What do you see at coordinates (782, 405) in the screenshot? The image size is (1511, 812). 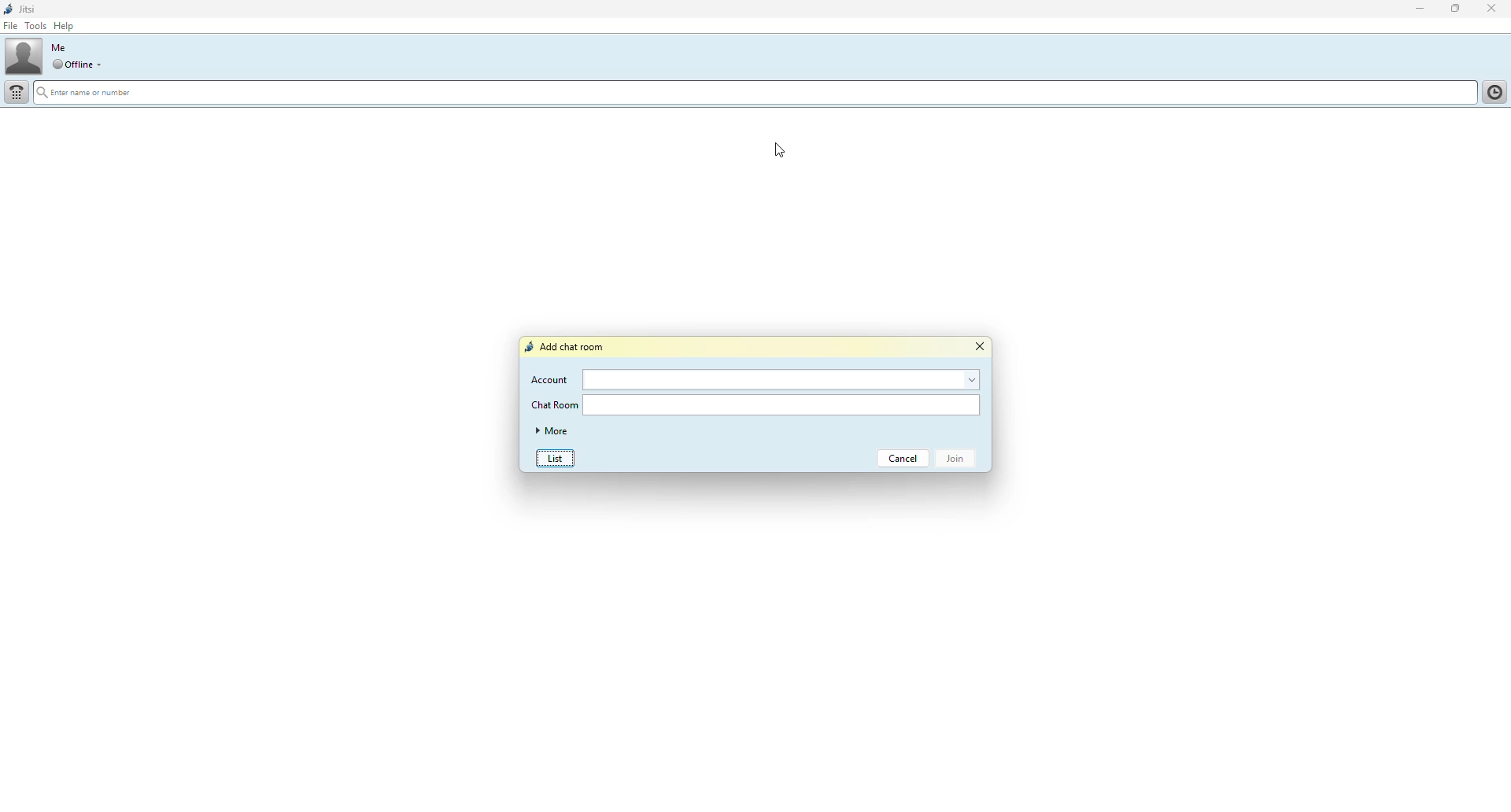 I see `chat room` at bounding box center [782, 405].